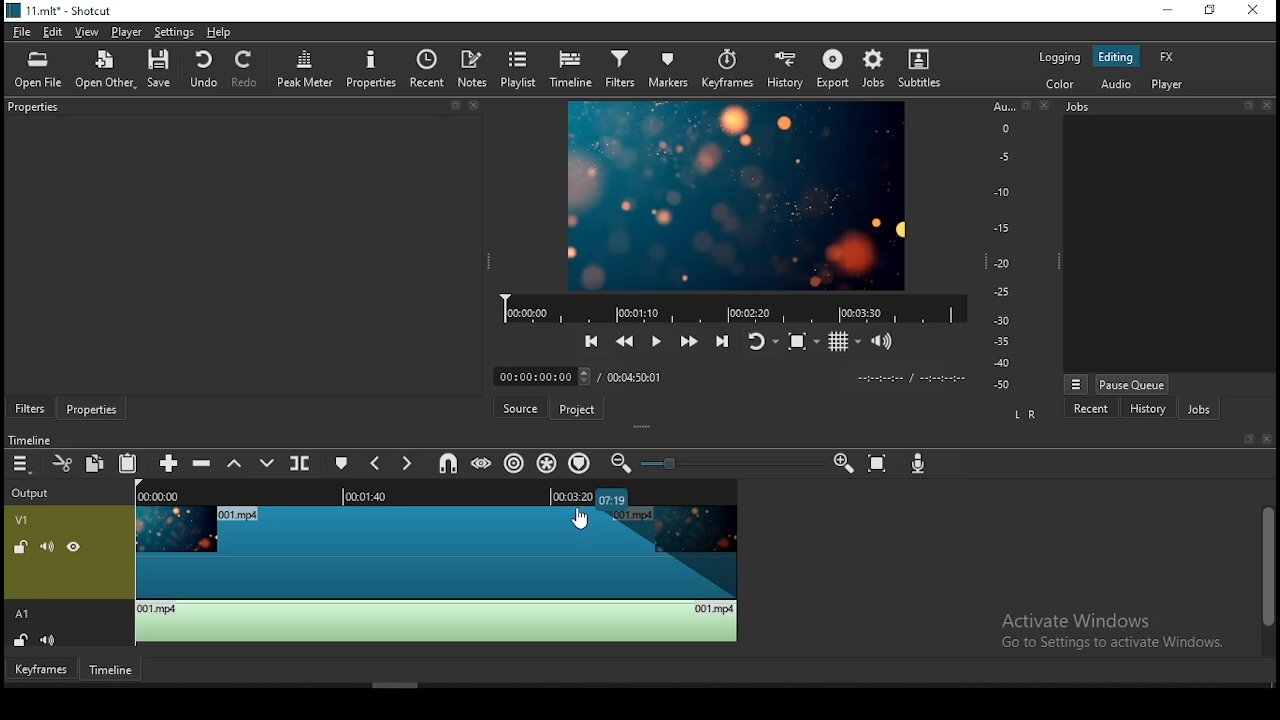  Describe the element at coordinates (621, 65) in the screenshot. I see `filters` at that location.